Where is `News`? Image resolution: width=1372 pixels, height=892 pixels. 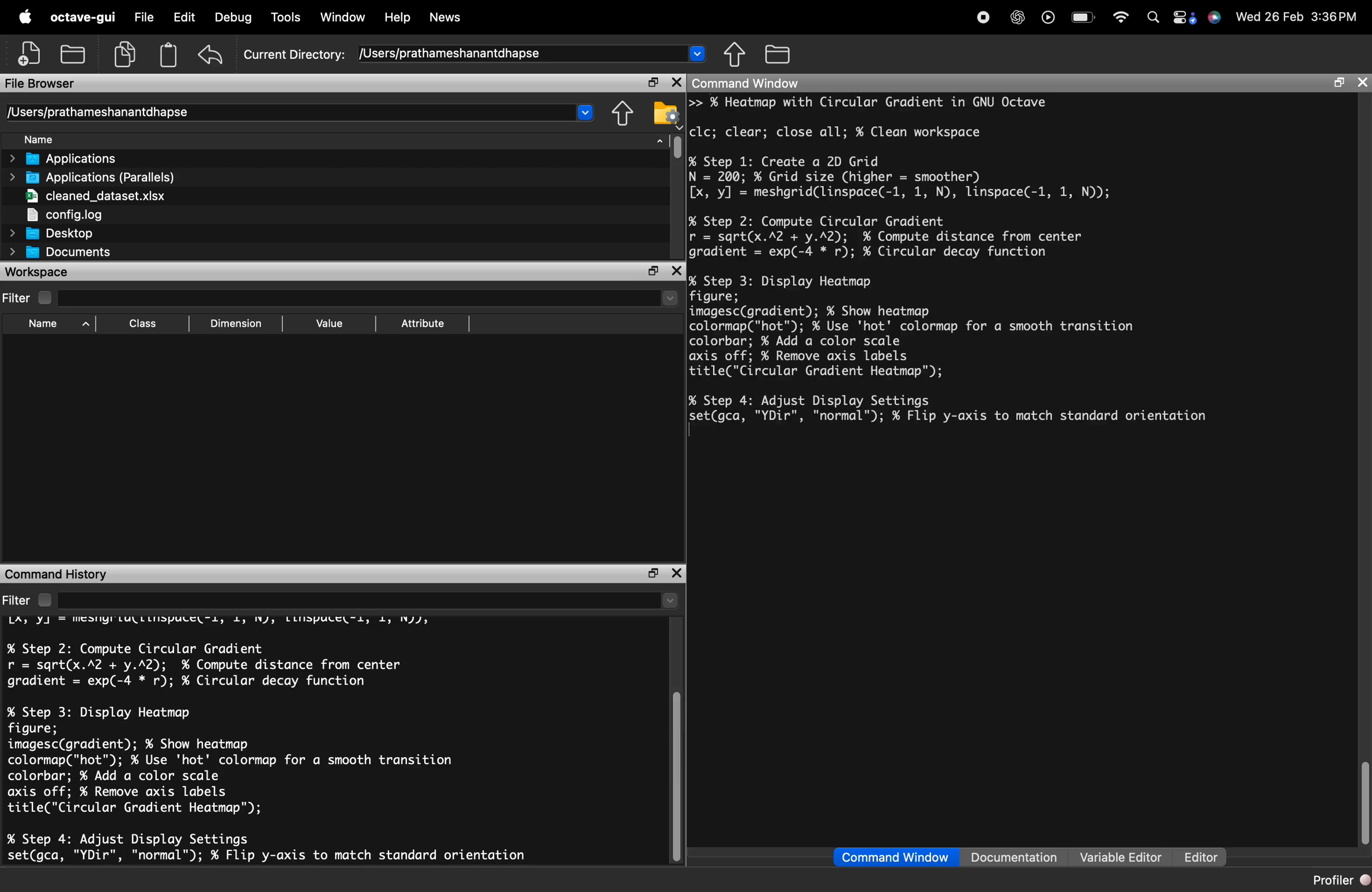 News is located at coordinates (444, 17).